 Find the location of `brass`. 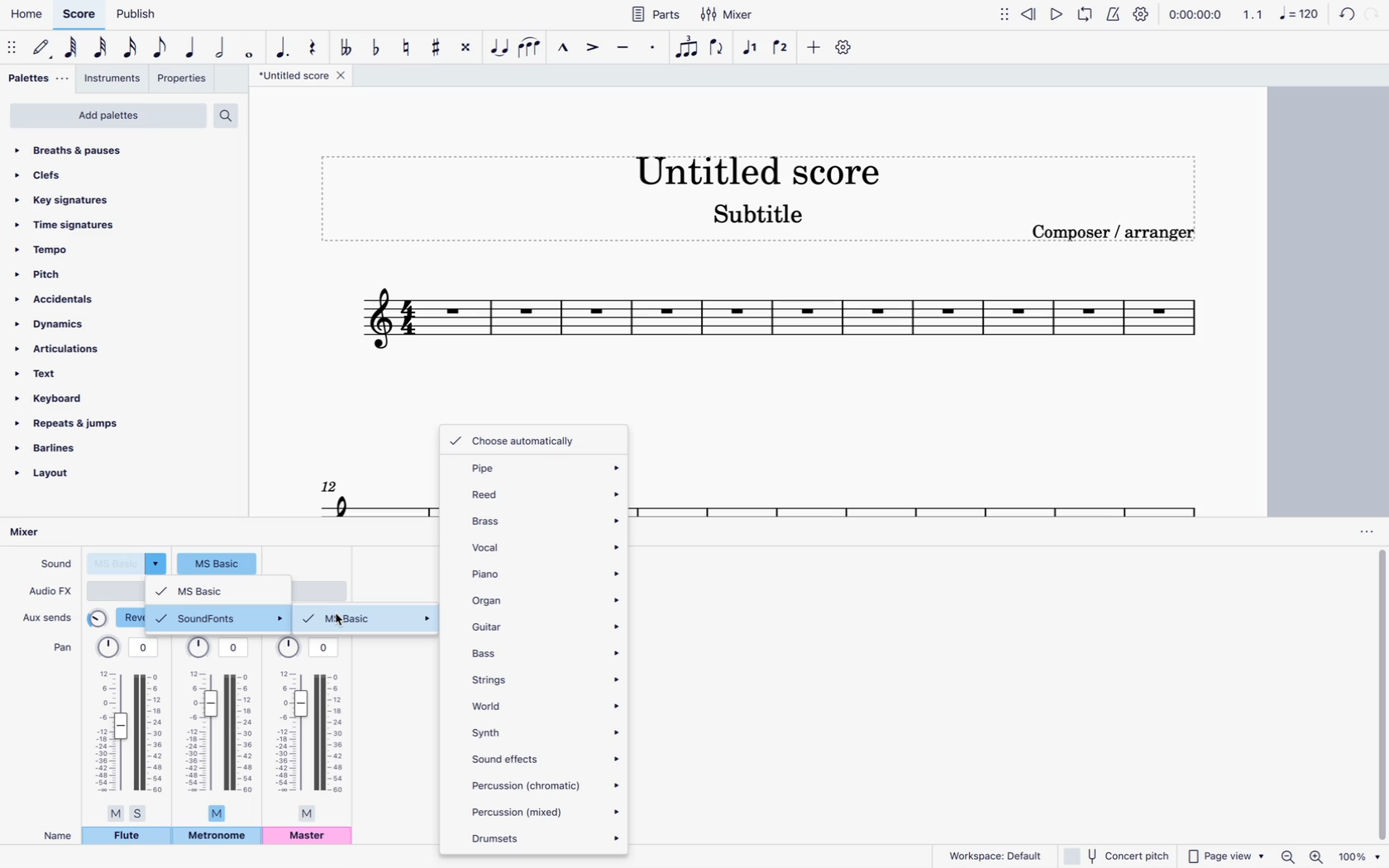

brass is located at coordinates (546, 517).